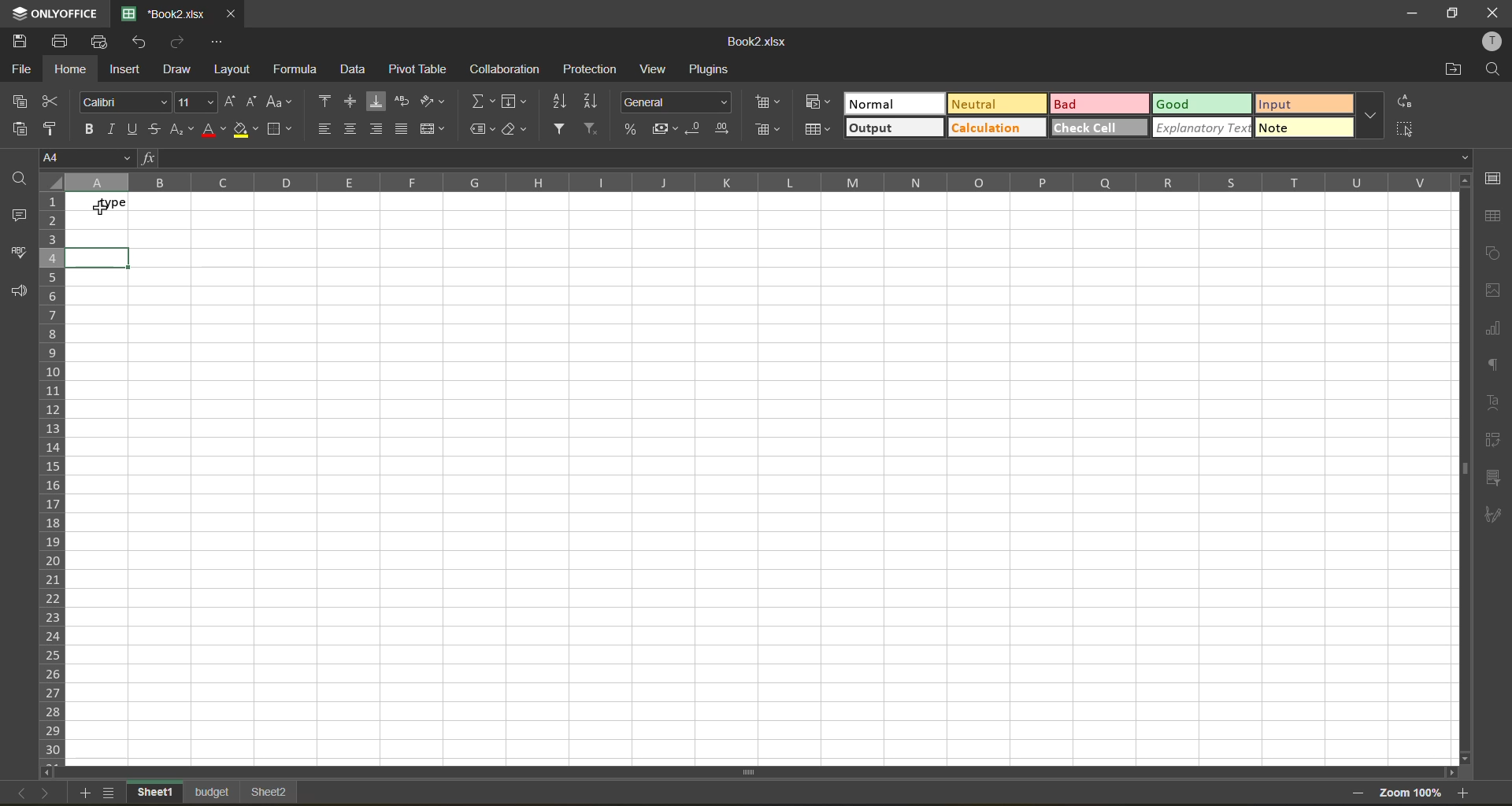 The image size is (1512, 806). What do you see at coordinates (893, 126) in the screenshot?
I see `output` at bounding box center [893, 126].